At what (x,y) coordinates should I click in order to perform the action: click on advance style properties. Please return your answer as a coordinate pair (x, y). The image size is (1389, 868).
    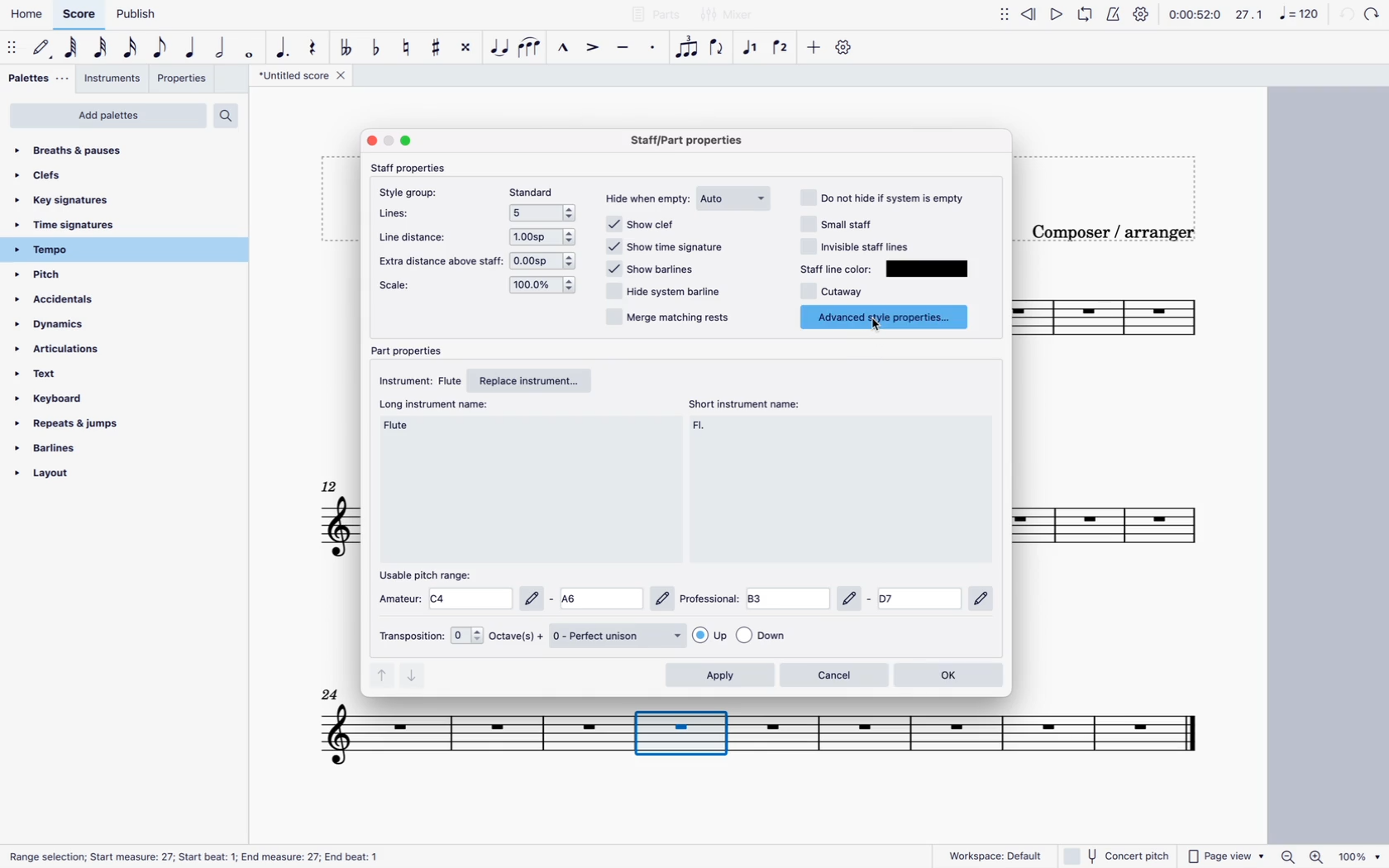
    Looking at the image, I should click on (889, 316).